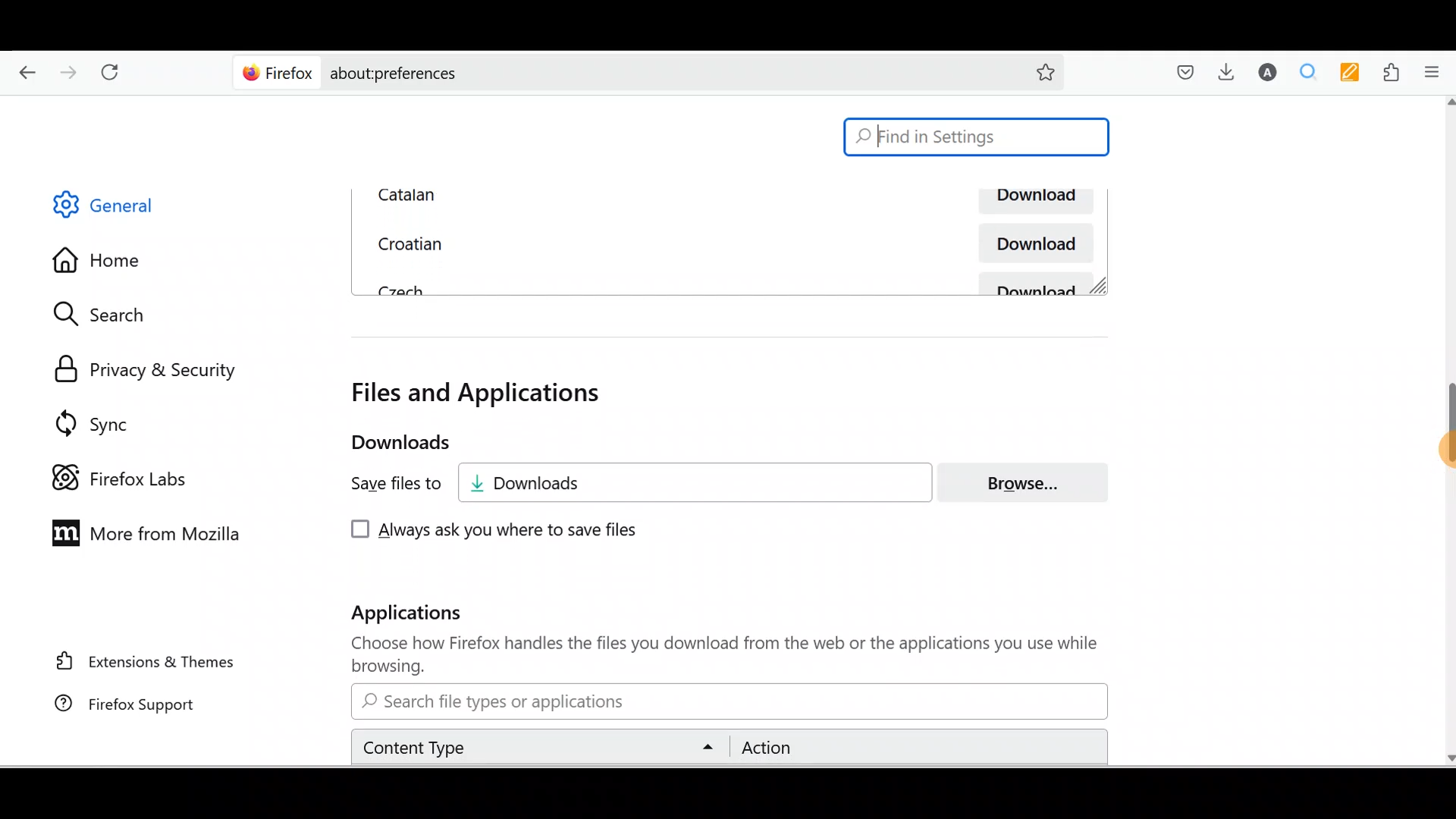  Describe the element at coordinates (1436, 72) in the screenshot. I see `Open application menu` at that location.